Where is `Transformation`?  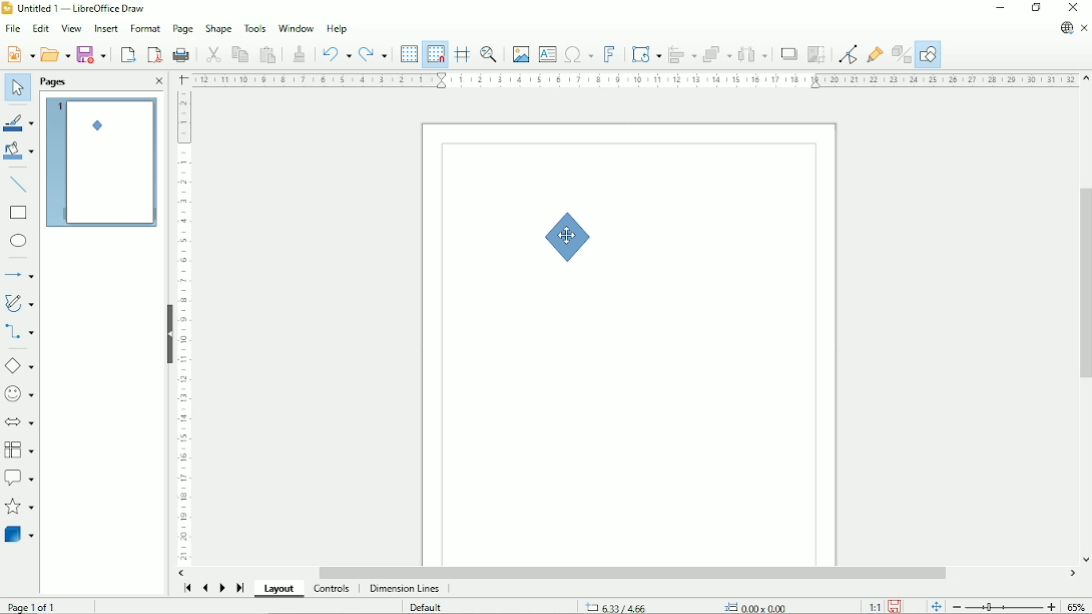
Transformation is located at coordinates (646, 52).